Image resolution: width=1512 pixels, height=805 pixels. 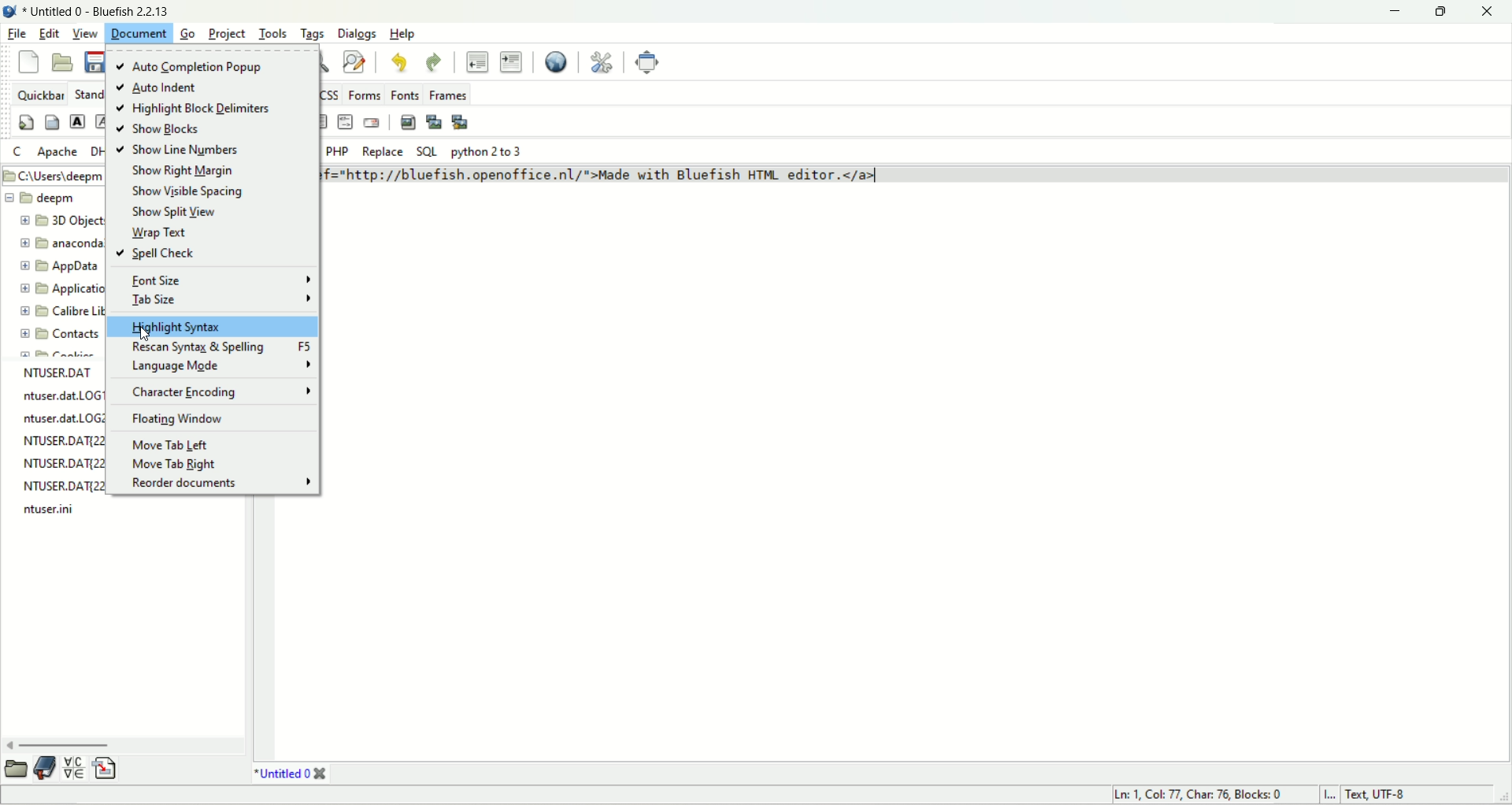 I want to click on application data, so click(x=64, y=289).